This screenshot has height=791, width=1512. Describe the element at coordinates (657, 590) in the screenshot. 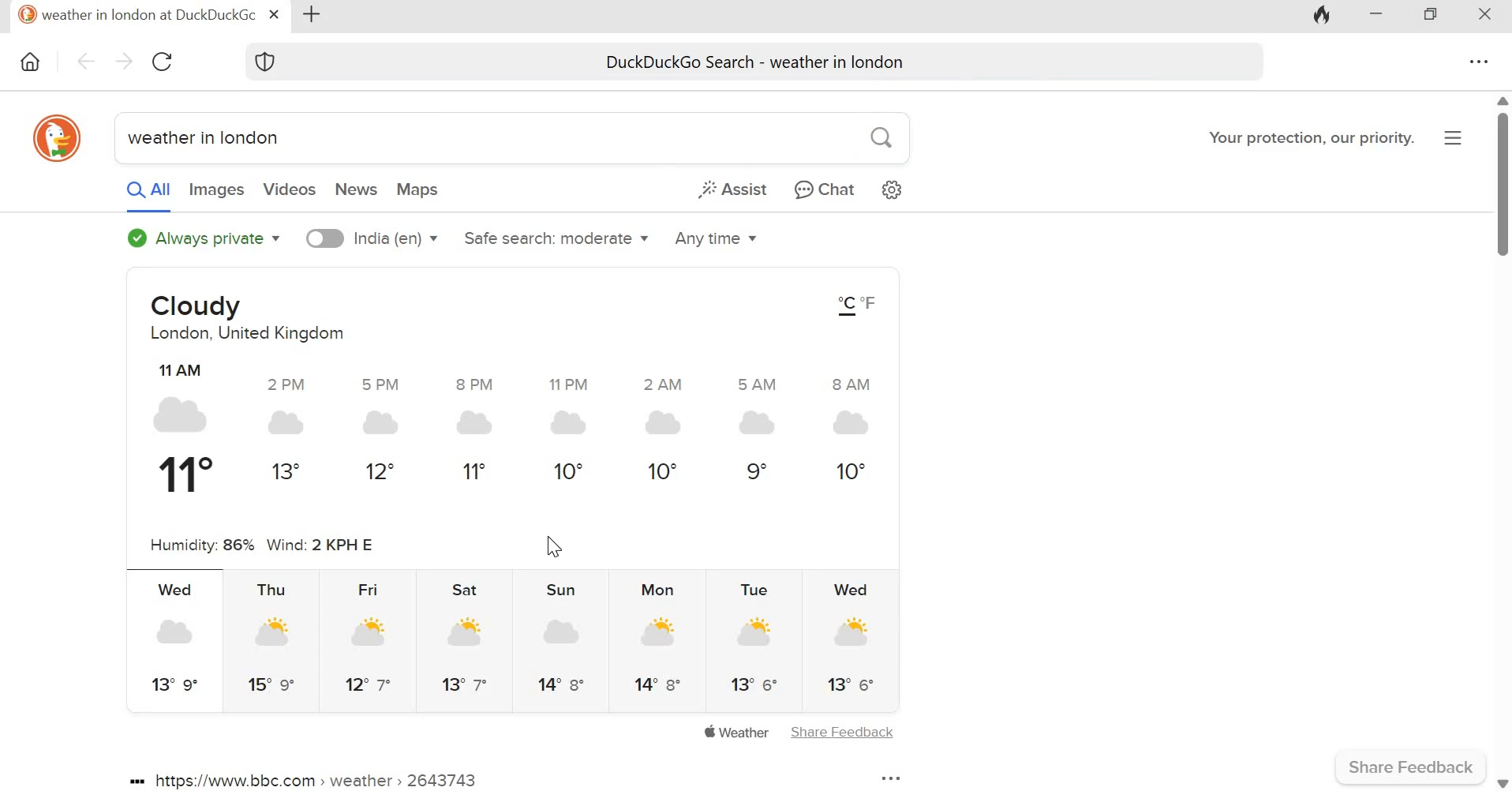

I see `Mon` at that location.